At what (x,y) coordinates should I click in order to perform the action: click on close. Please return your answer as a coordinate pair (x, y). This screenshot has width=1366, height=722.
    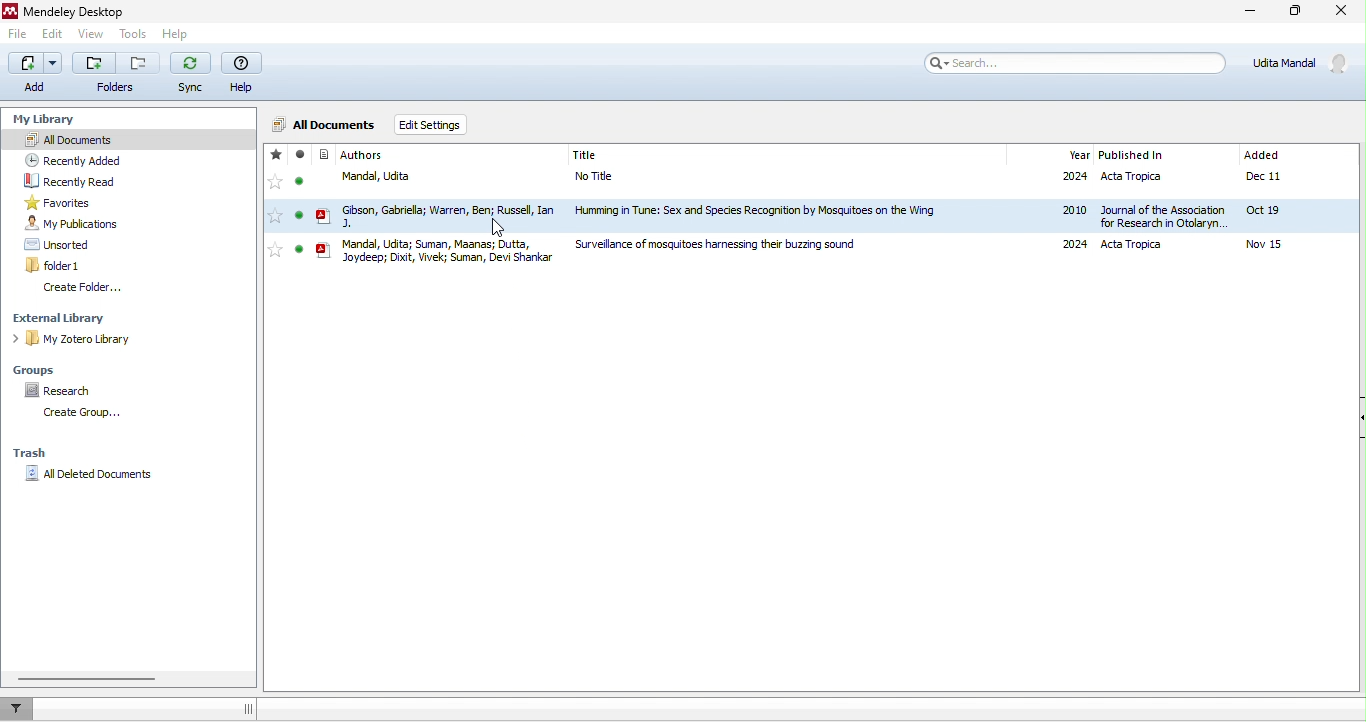
    Looking at the image, I should click on (1343, 12).